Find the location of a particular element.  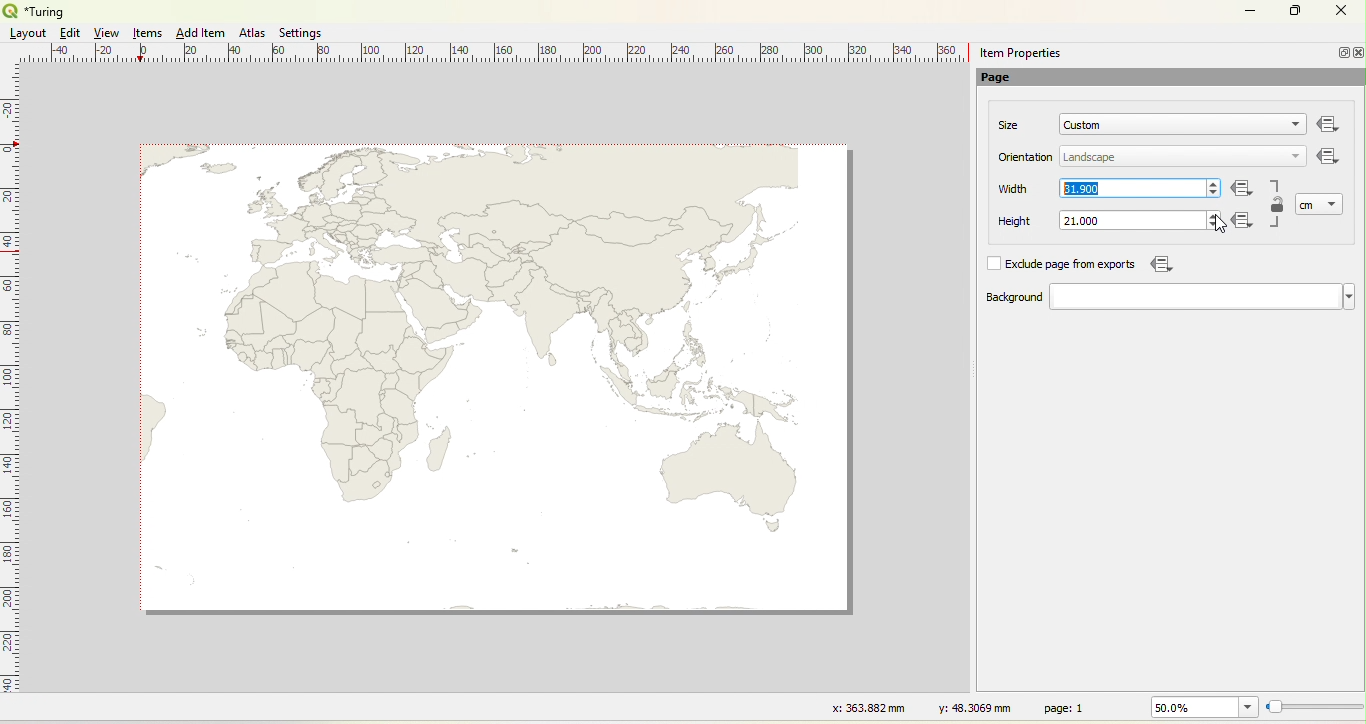

Lock/Unlock is located at coordinates (1278, 206).